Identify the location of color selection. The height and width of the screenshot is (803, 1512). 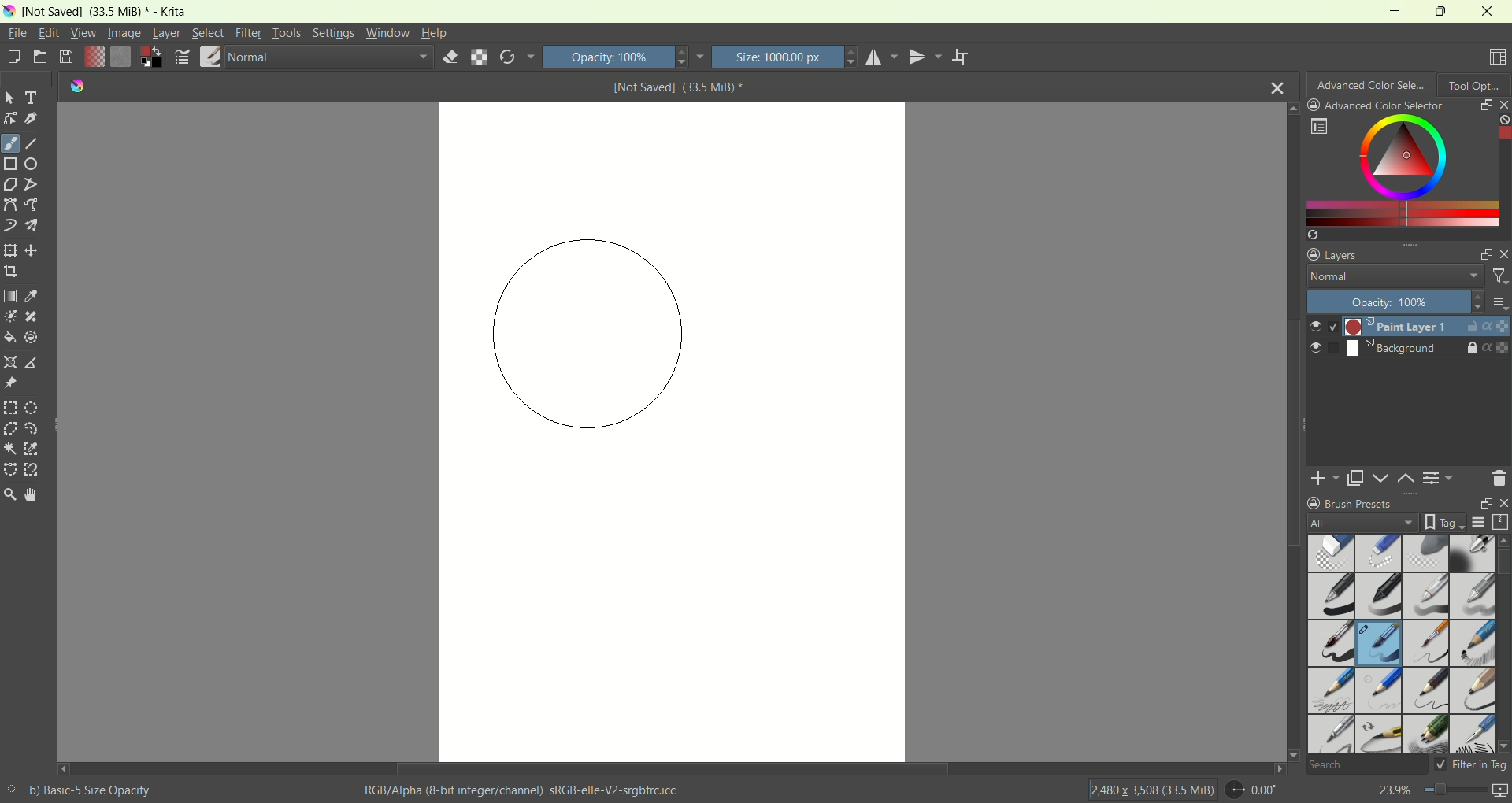
(1396, 169).